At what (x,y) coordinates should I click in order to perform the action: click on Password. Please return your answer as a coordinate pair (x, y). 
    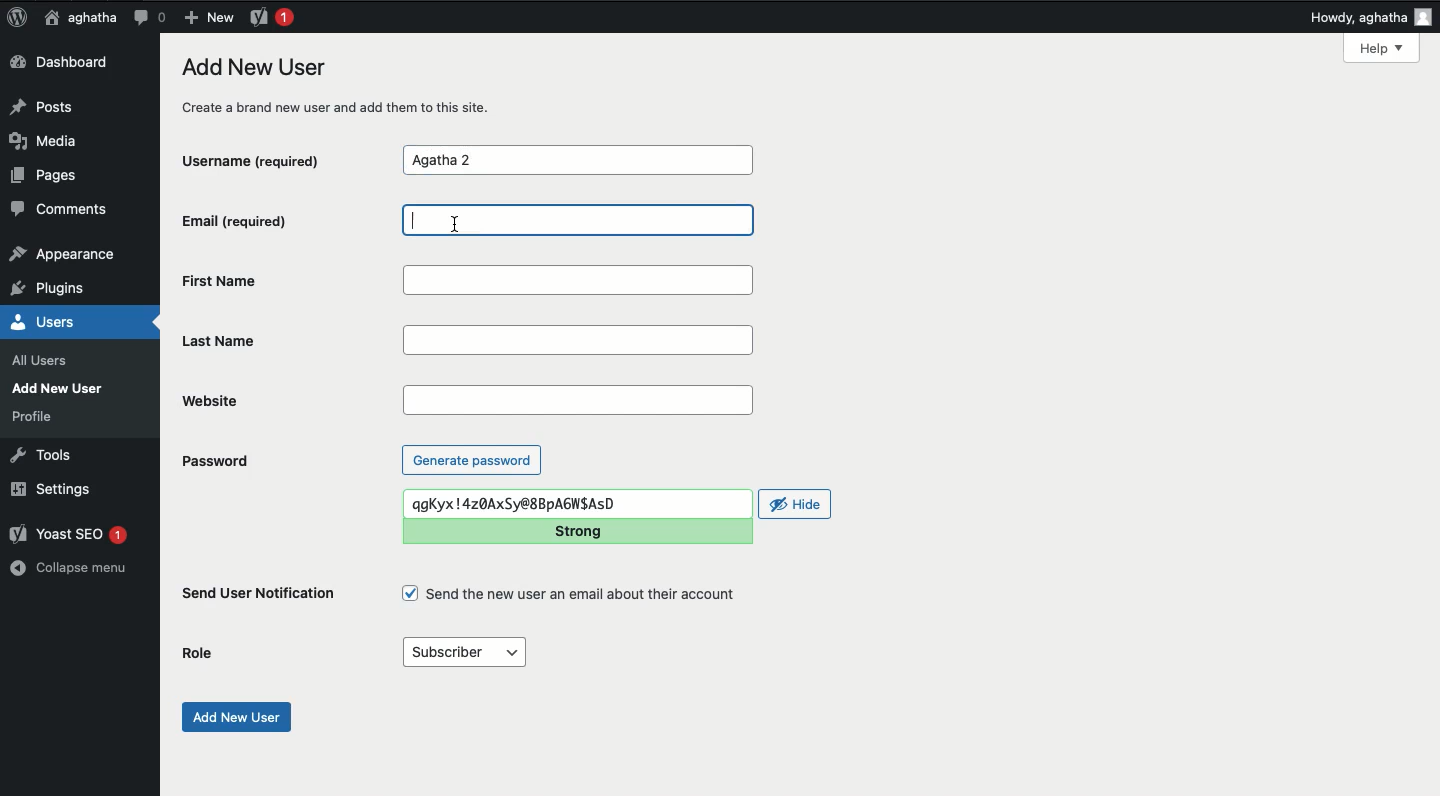
    Looking at the image, I should click on (214, 461).